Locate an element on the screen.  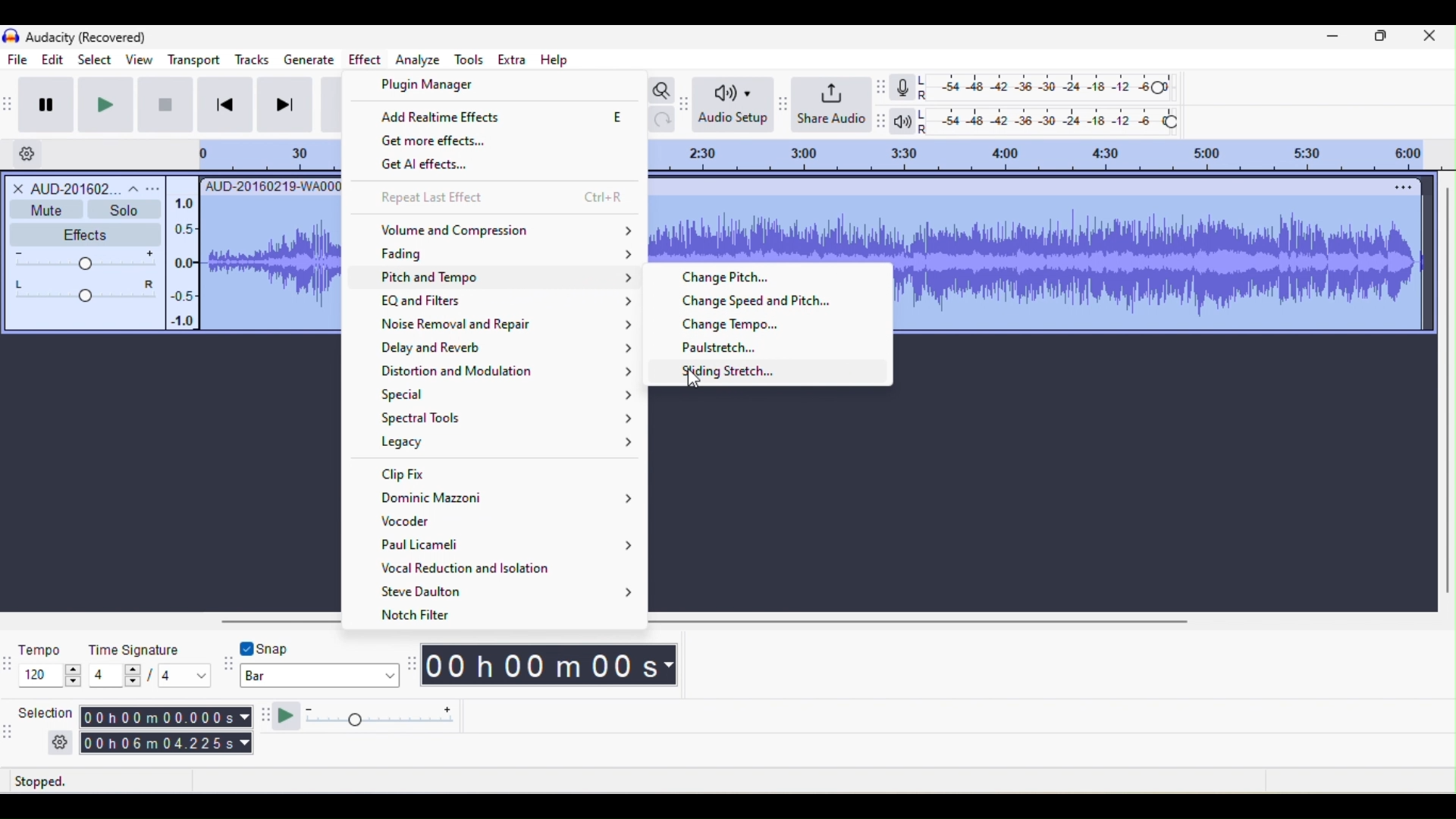
Level is located at coordinates (86, 277).